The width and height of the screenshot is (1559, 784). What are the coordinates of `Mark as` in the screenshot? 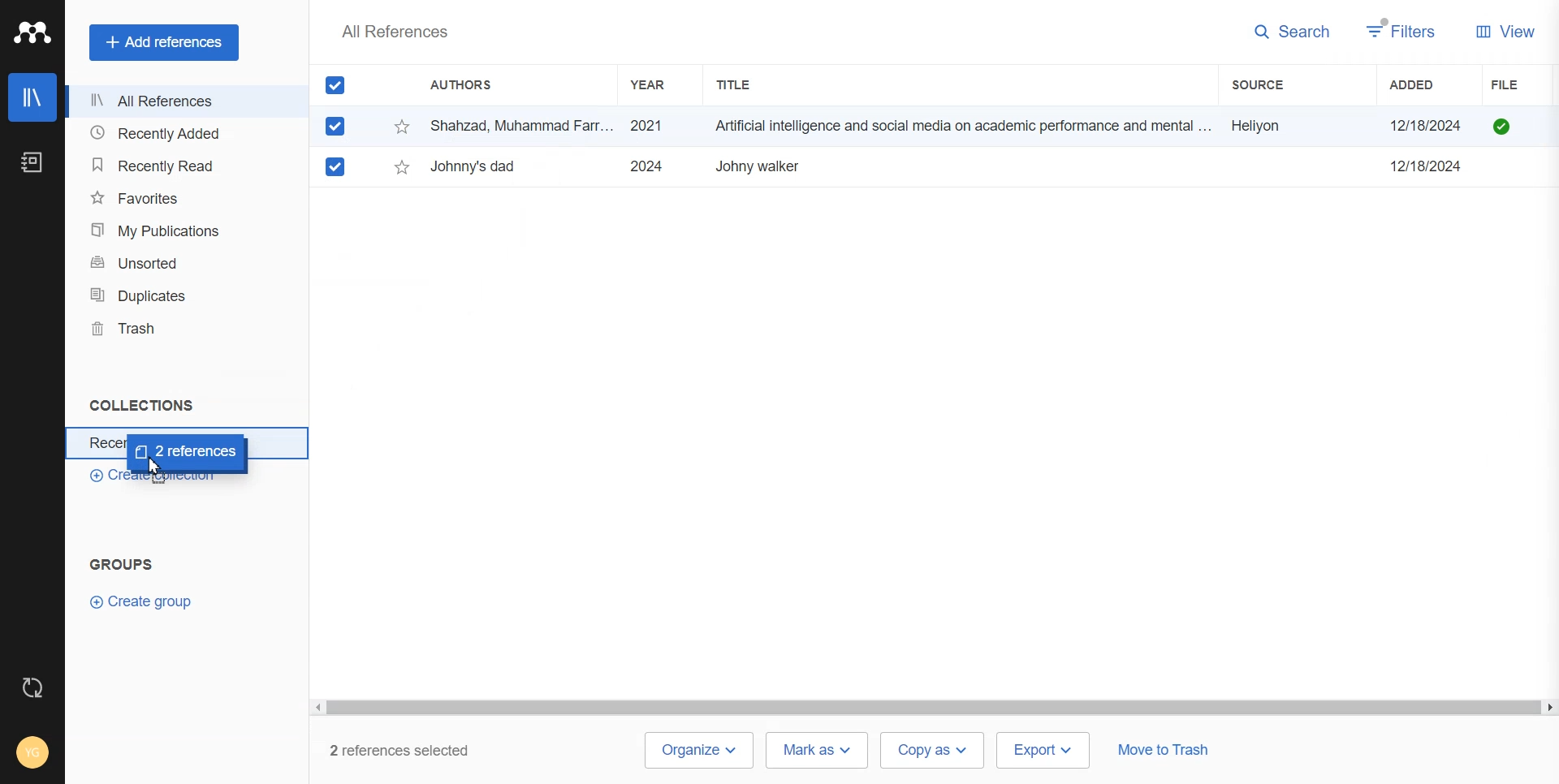 It's located at (817, 749).